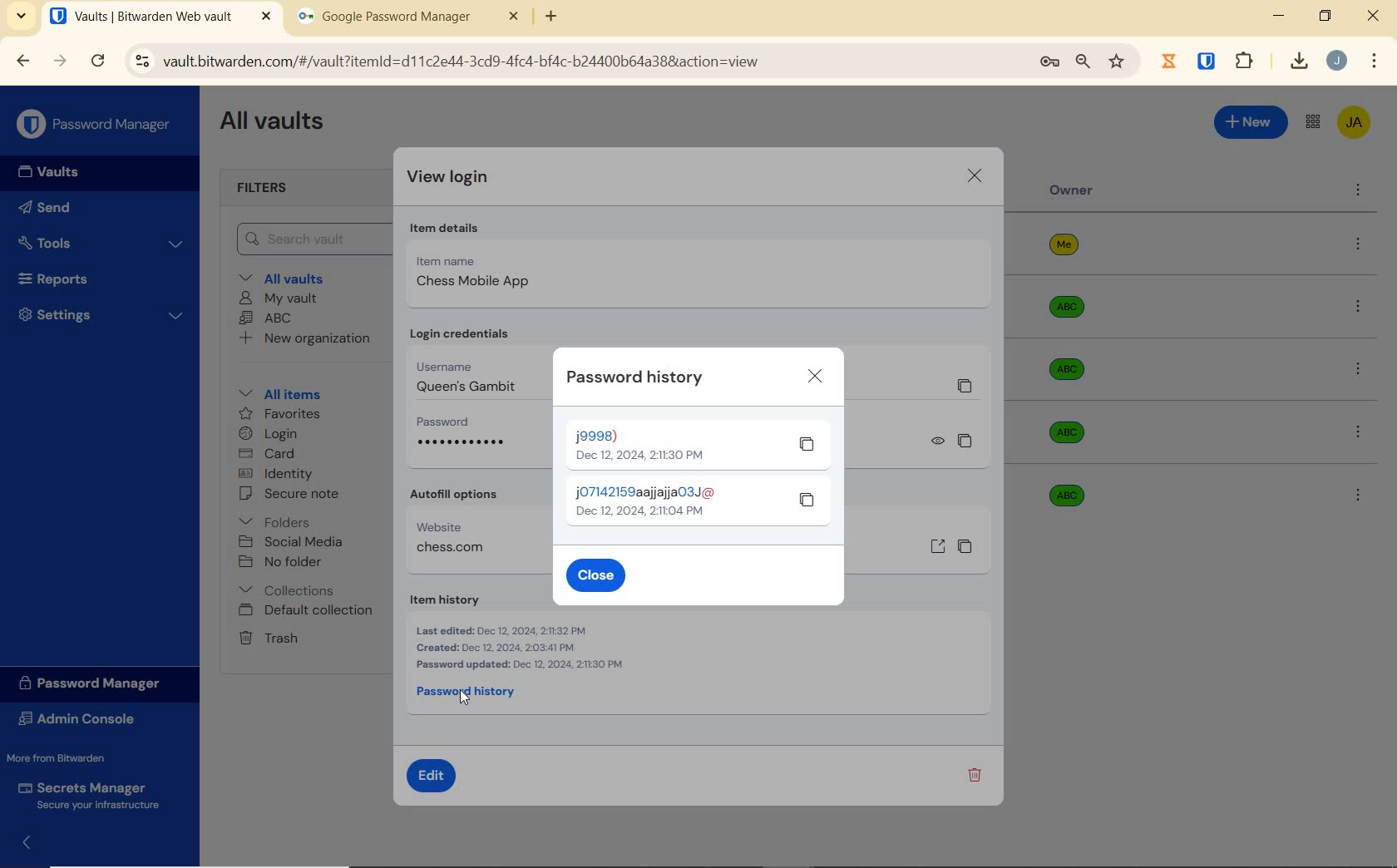 The height and width of the screenshot is (868, 1397). What do you see at coordinates (260, 189) in the screenshot?
I see `Filters` at bounding box center [260, 189].